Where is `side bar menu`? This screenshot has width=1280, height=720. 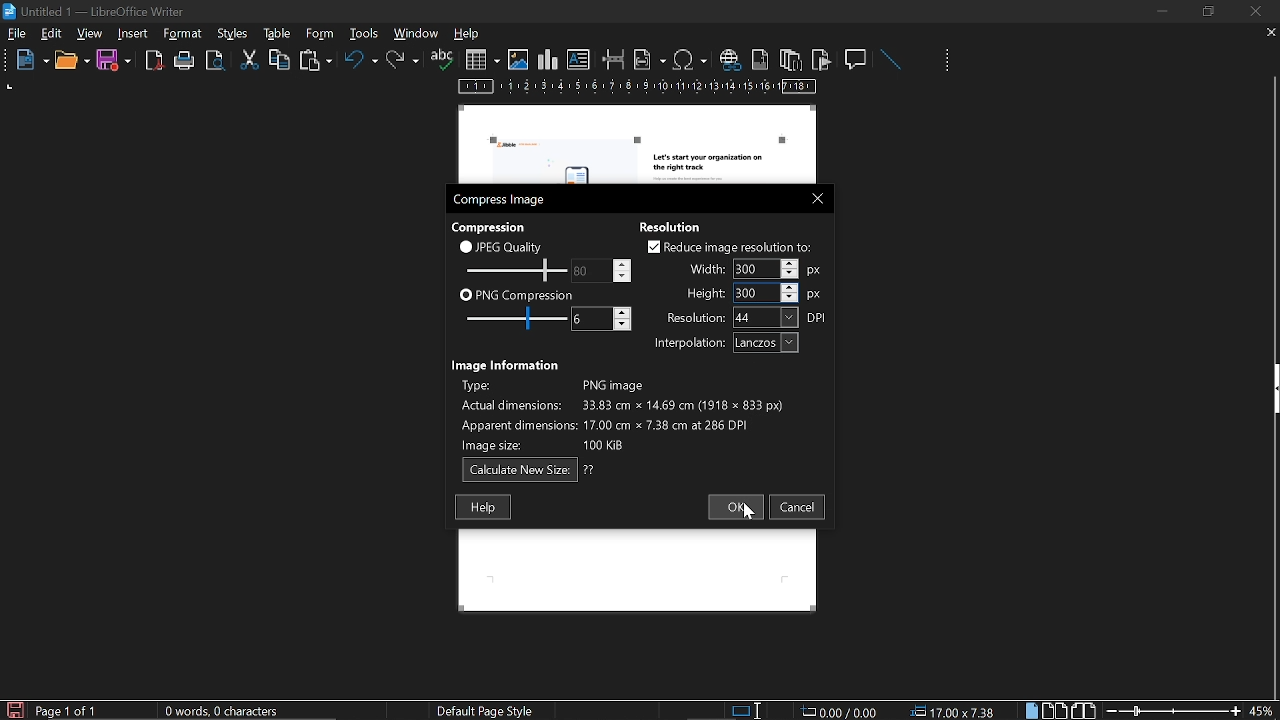 side bar menu is located at coordinates (1272, 389).